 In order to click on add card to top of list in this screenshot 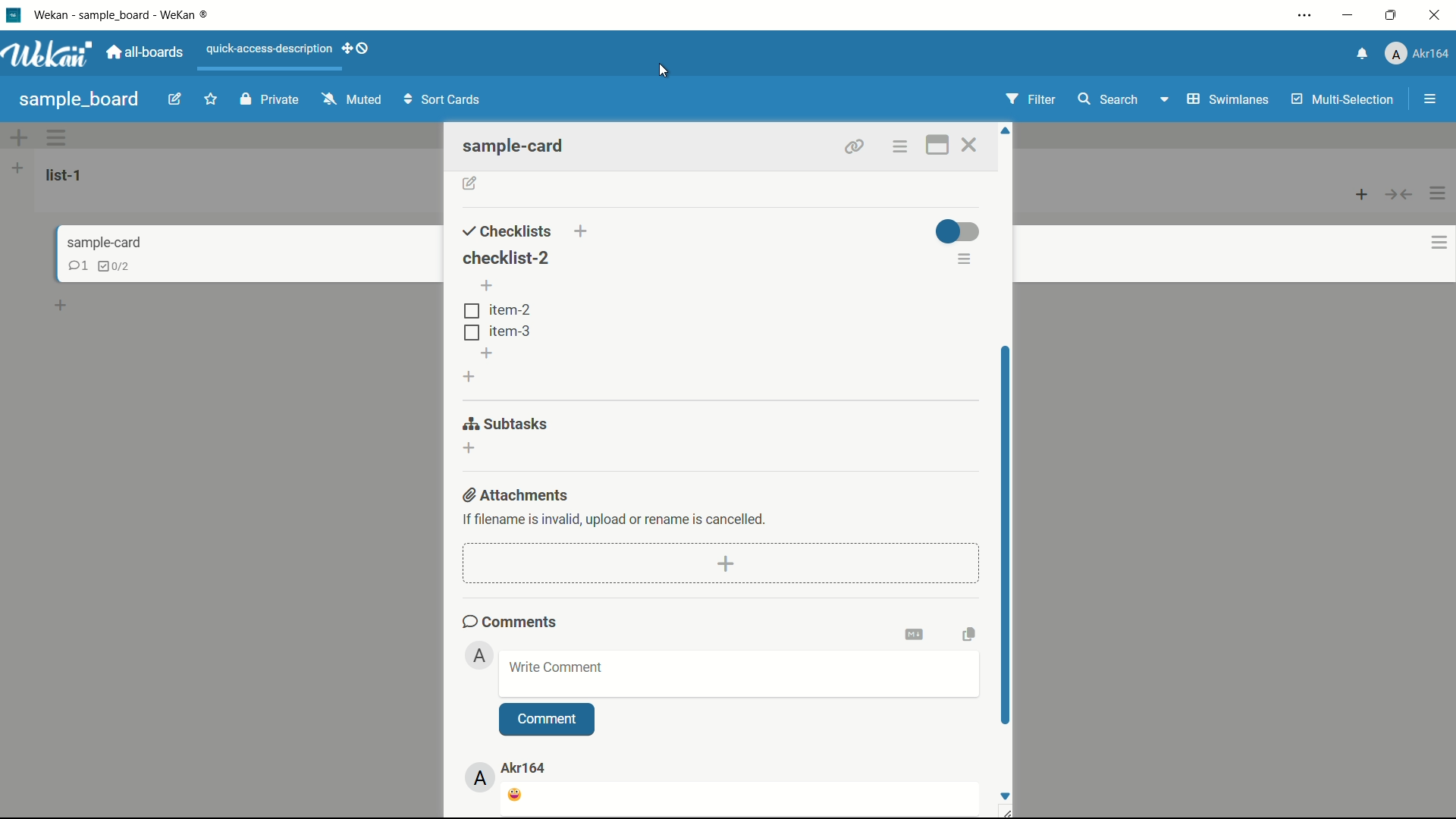, I will do `click(1363, 196)`.